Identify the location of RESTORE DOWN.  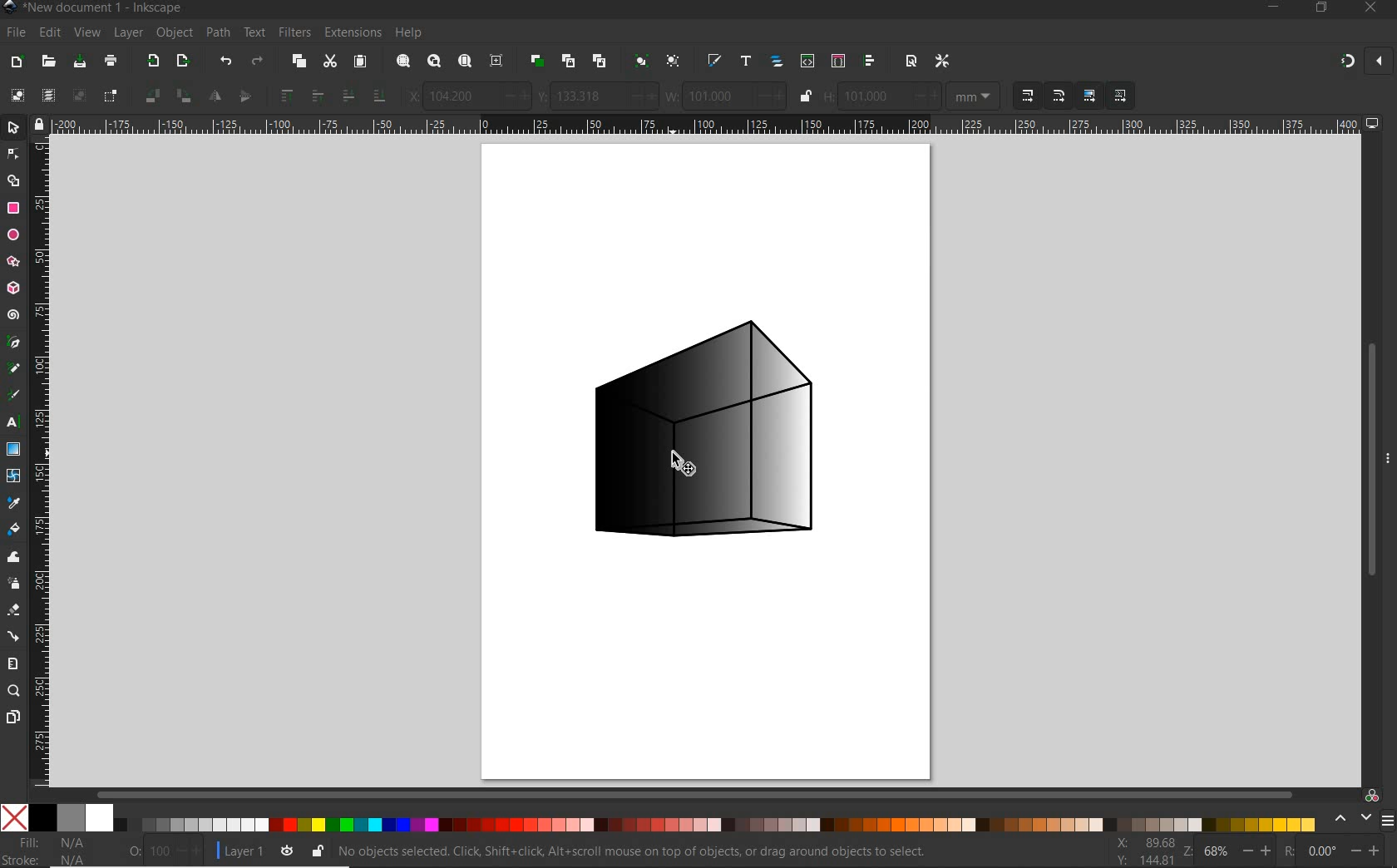
(1320, 7).